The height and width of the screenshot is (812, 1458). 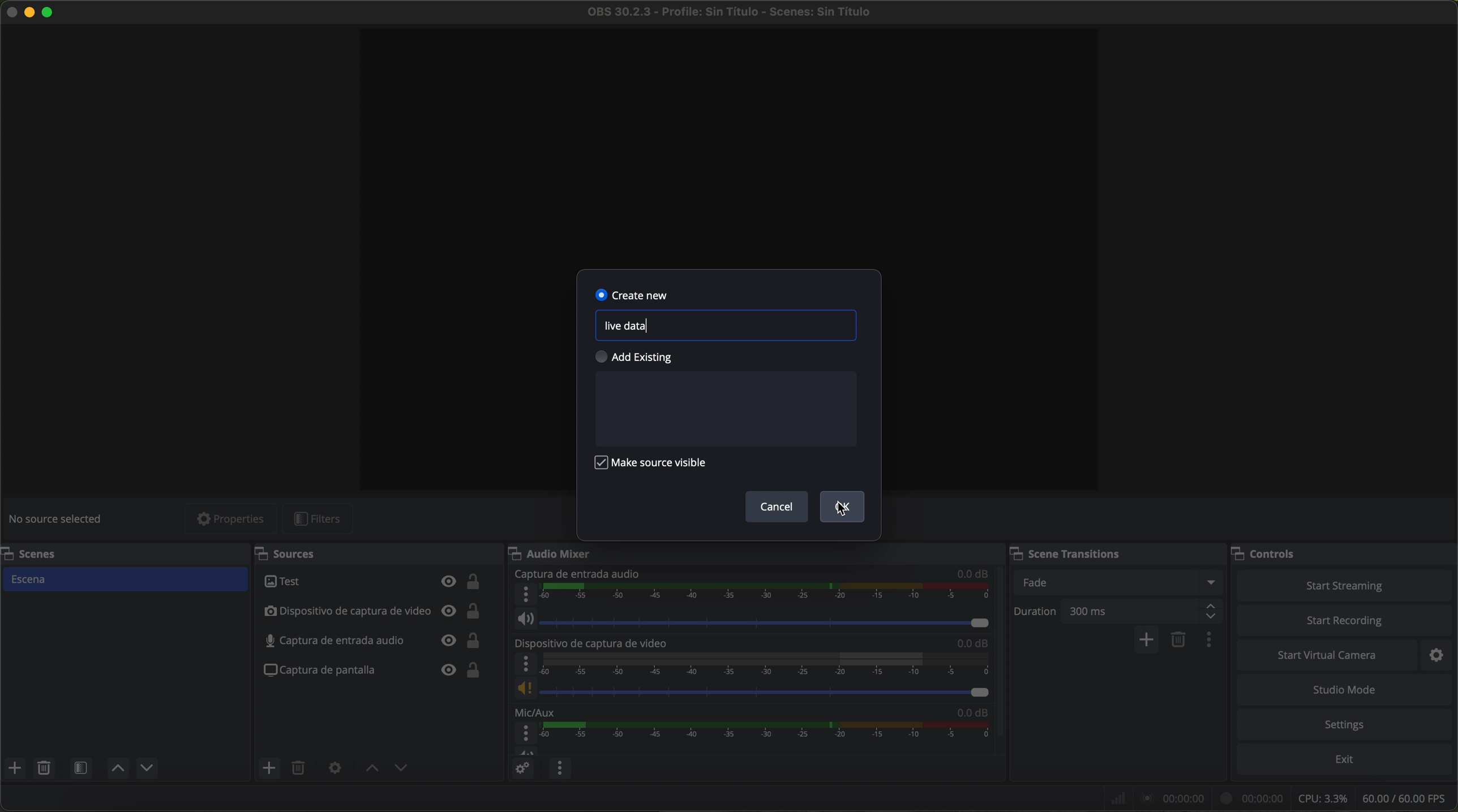 I want to click on add existing, so click(x=641, y=358).